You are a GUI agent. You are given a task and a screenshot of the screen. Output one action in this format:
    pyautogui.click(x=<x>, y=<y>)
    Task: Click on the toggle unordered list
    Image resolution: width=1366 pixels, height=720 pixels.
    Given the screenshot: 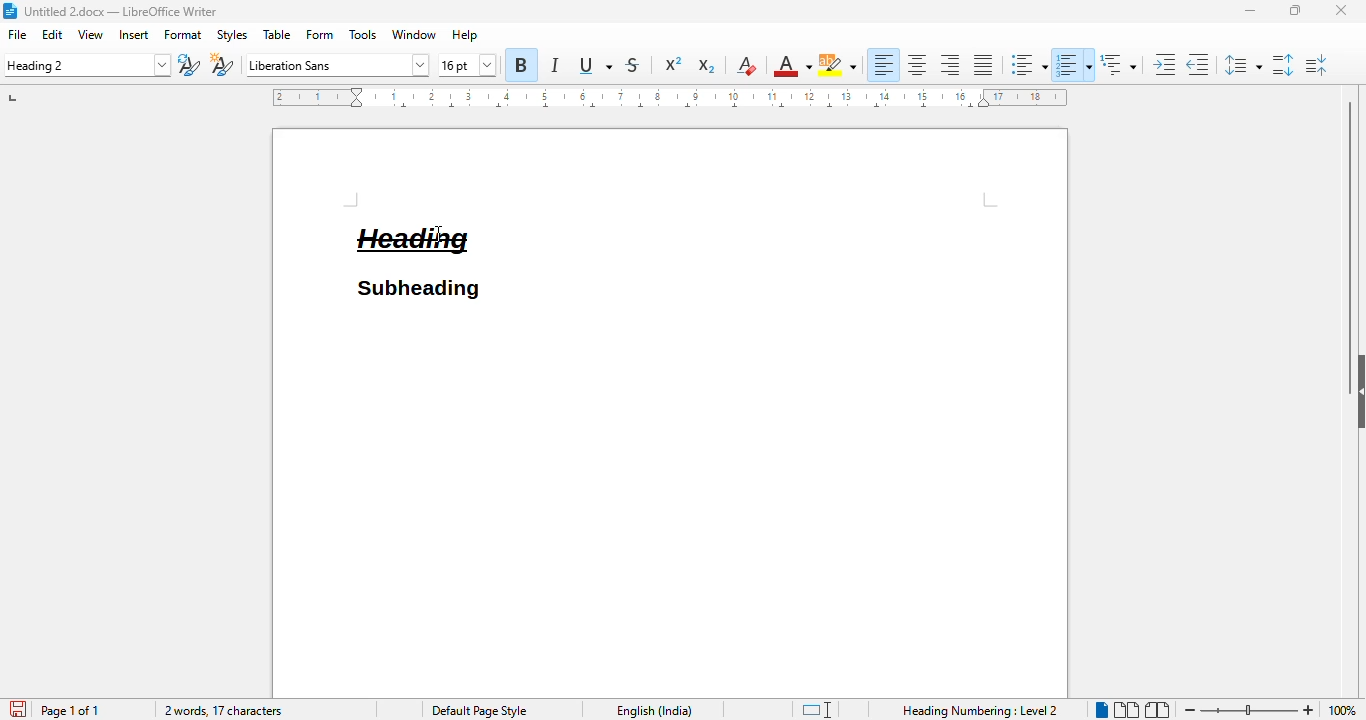 What is the action you would take?
    pyautogui.click(x=1028, y=65)
    